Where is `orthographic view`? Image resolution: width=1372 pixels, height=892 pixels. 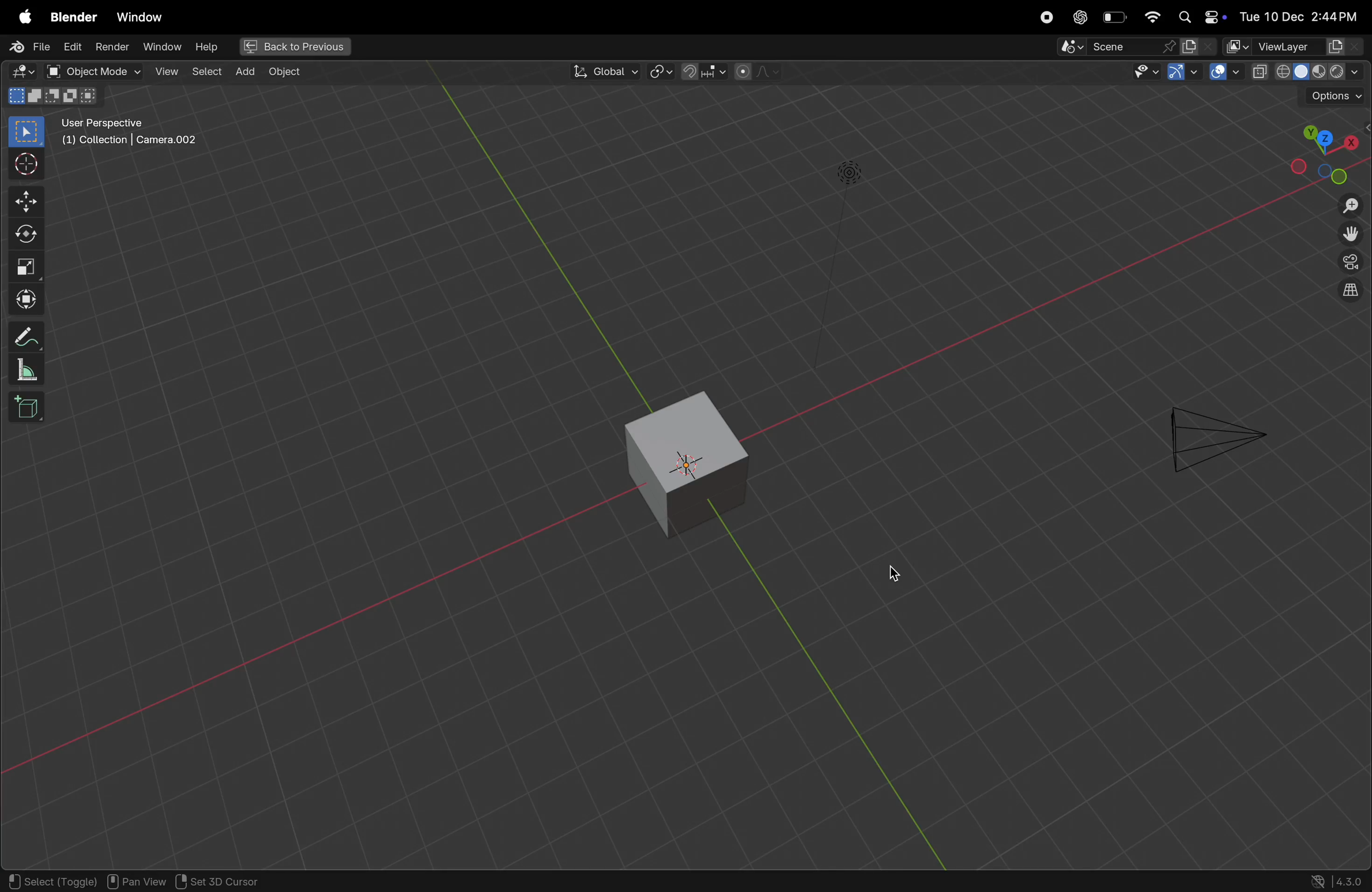
orthographic view is located at coordinates (1351, 292).